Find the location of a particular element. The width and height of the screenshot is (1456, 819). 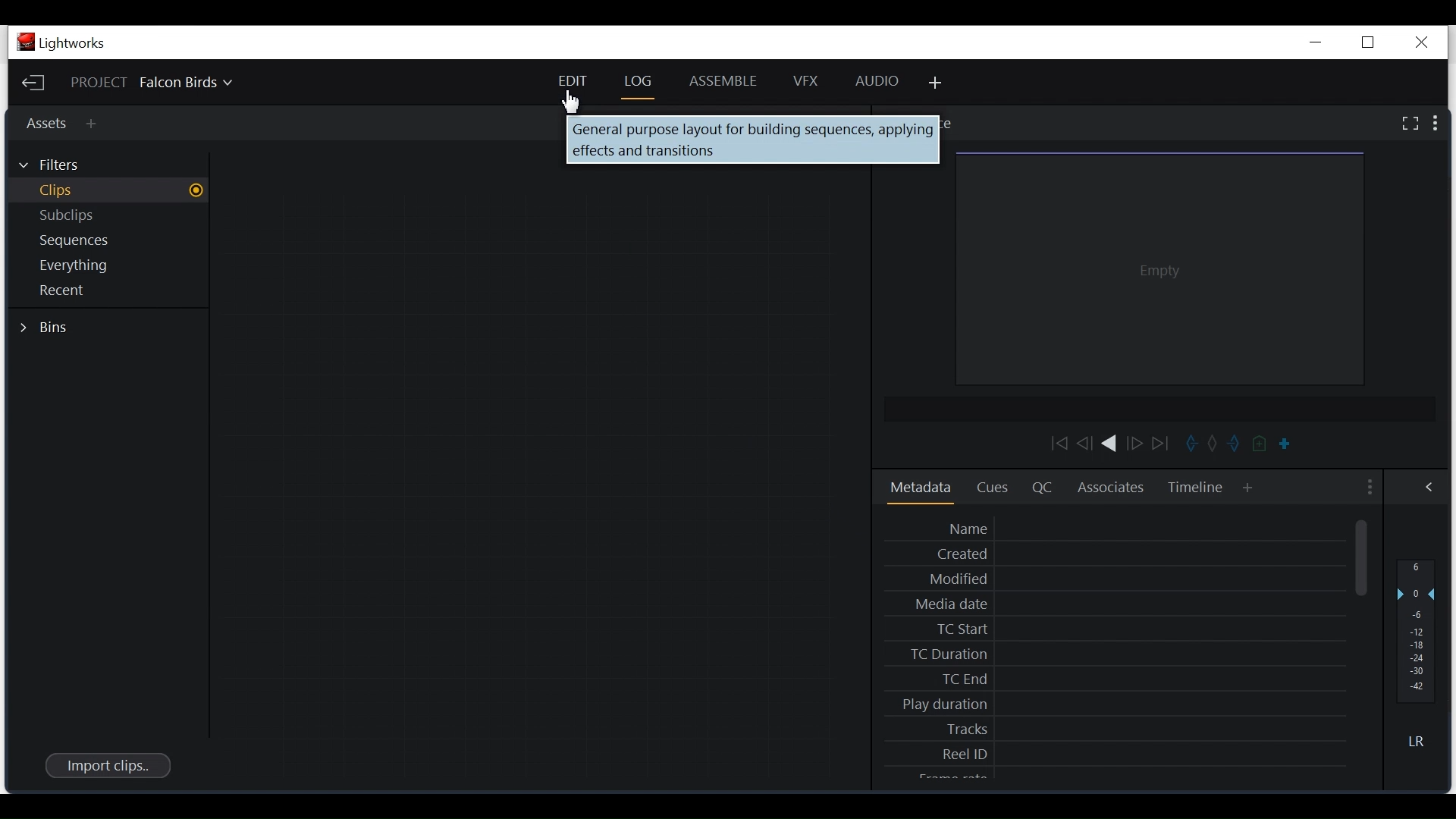

Play Duration is located at coordinates (1121, 704).